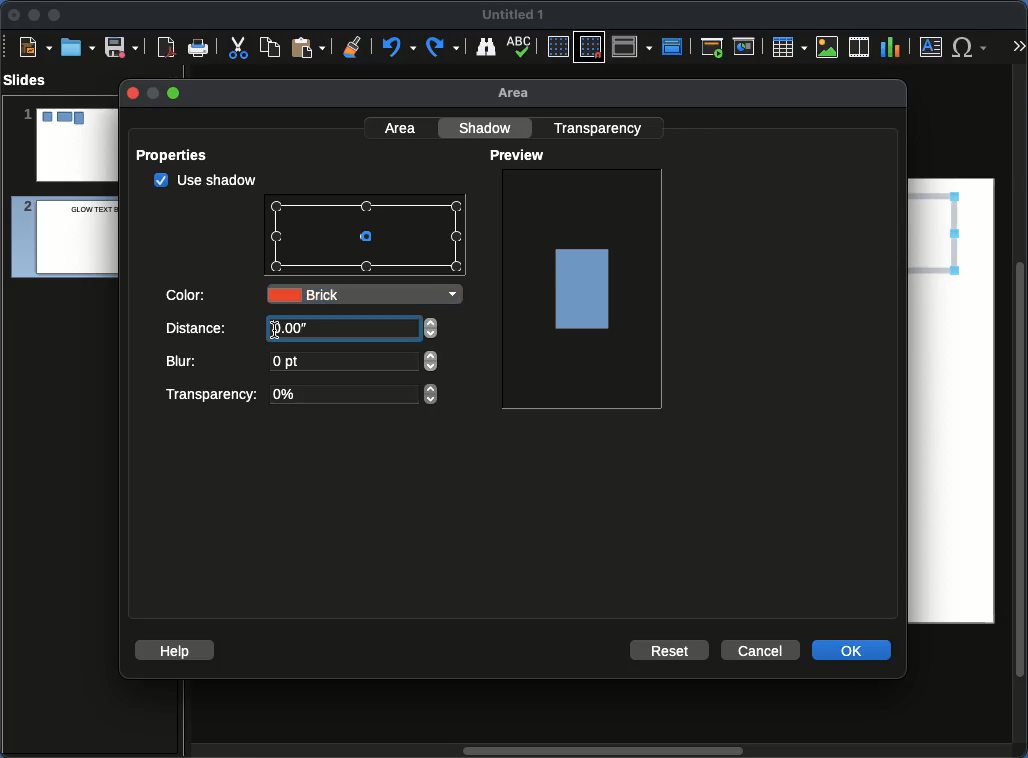  Describe the element at coordinates (397, 47) in the screenshot. I see `Undo` at that location.